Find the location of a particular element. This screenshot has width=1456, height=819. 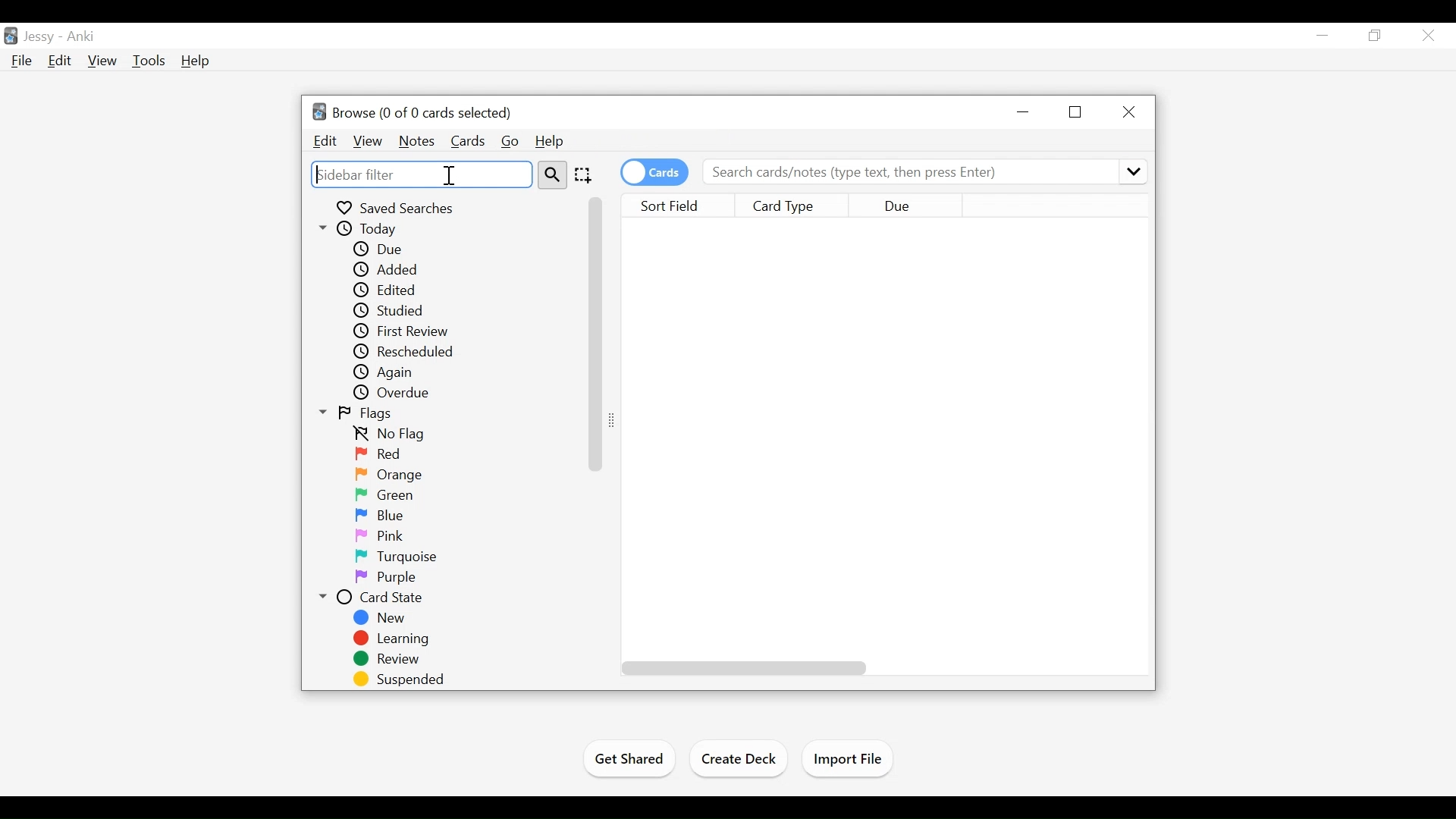

Review is located at coordinates (388, 660).